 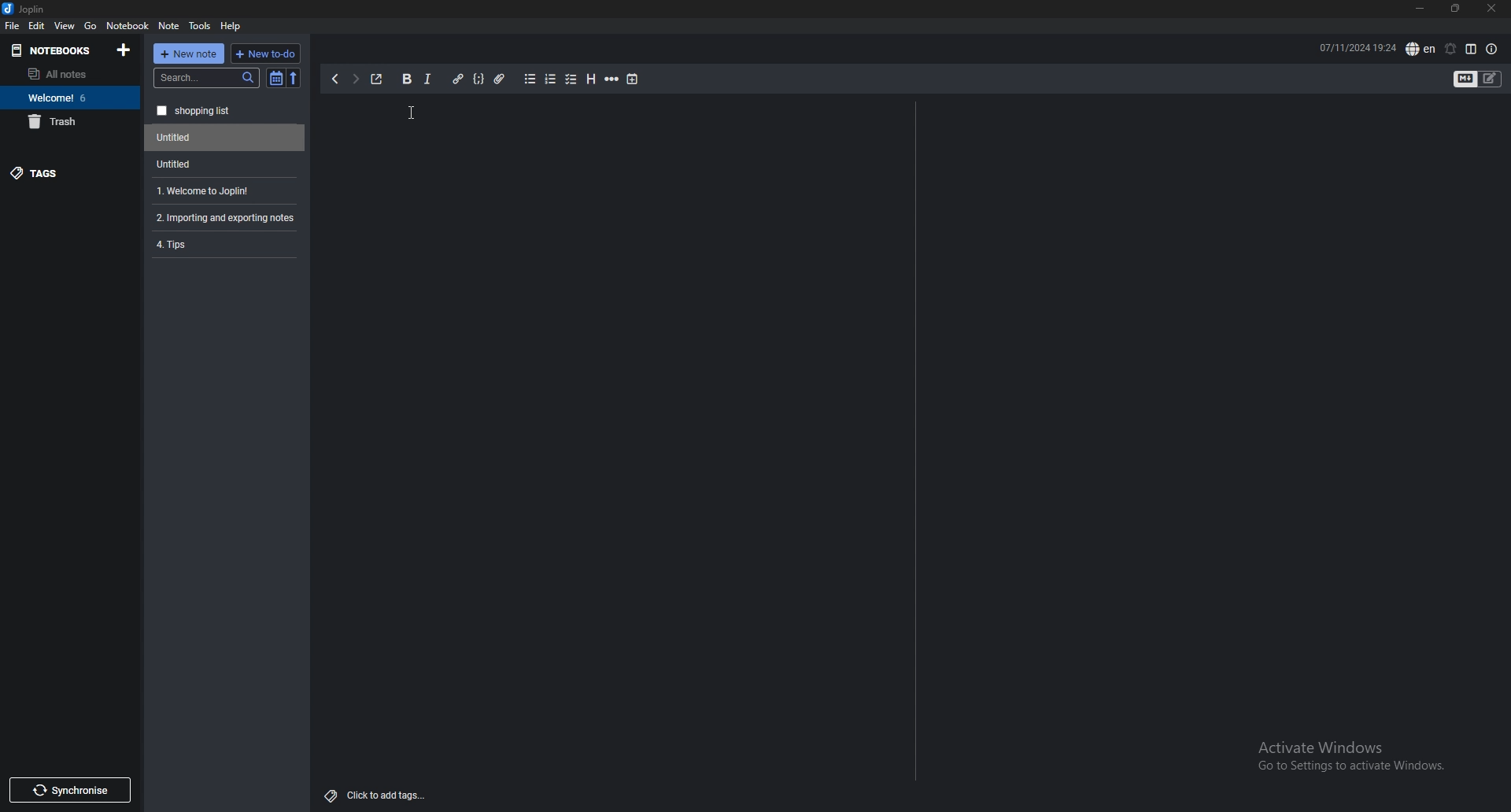 I want to click on close, so click(x=1491, y=9).